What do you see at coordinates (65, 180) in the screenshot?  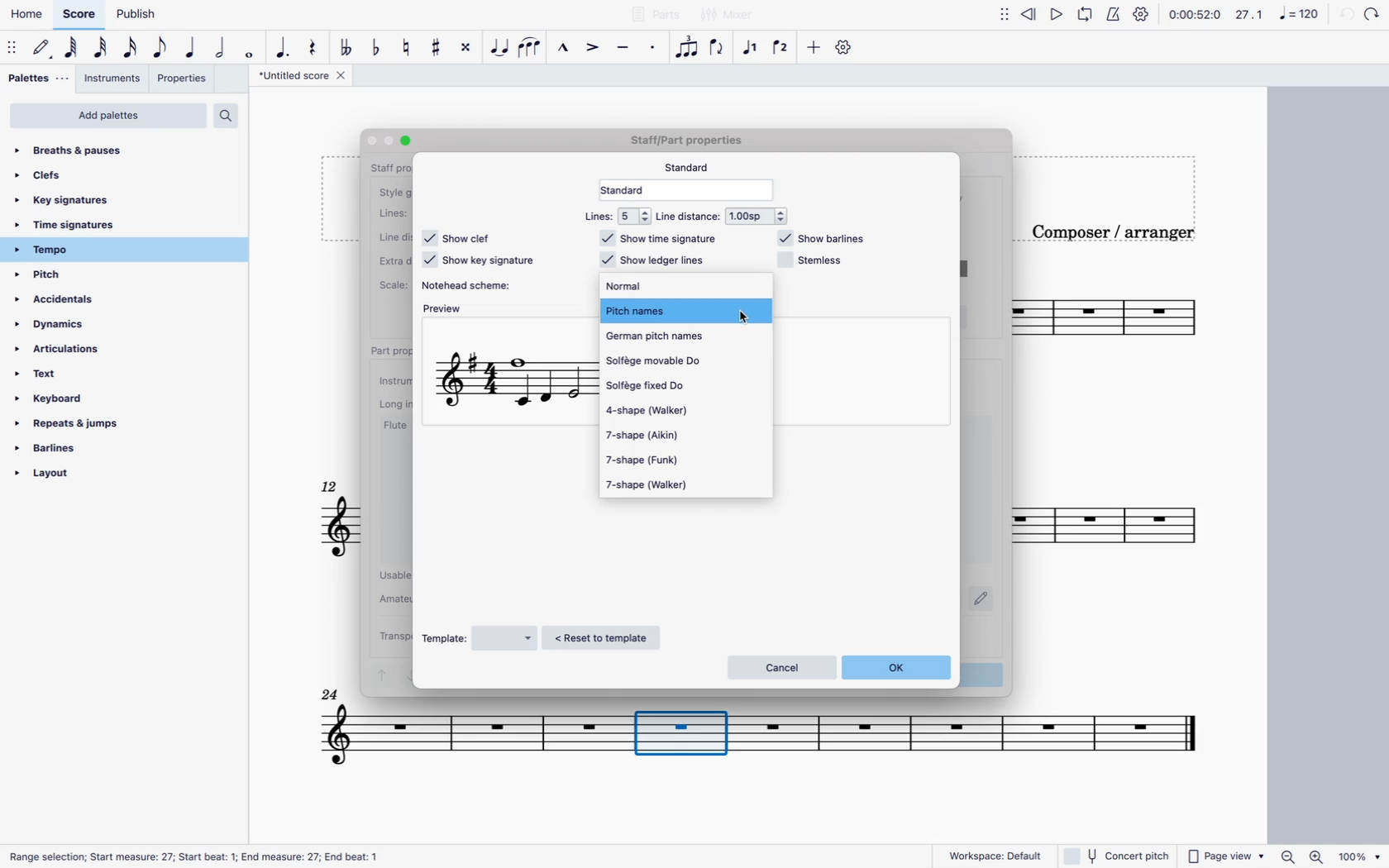 I see `clefs` at bounding box center [65, 180].